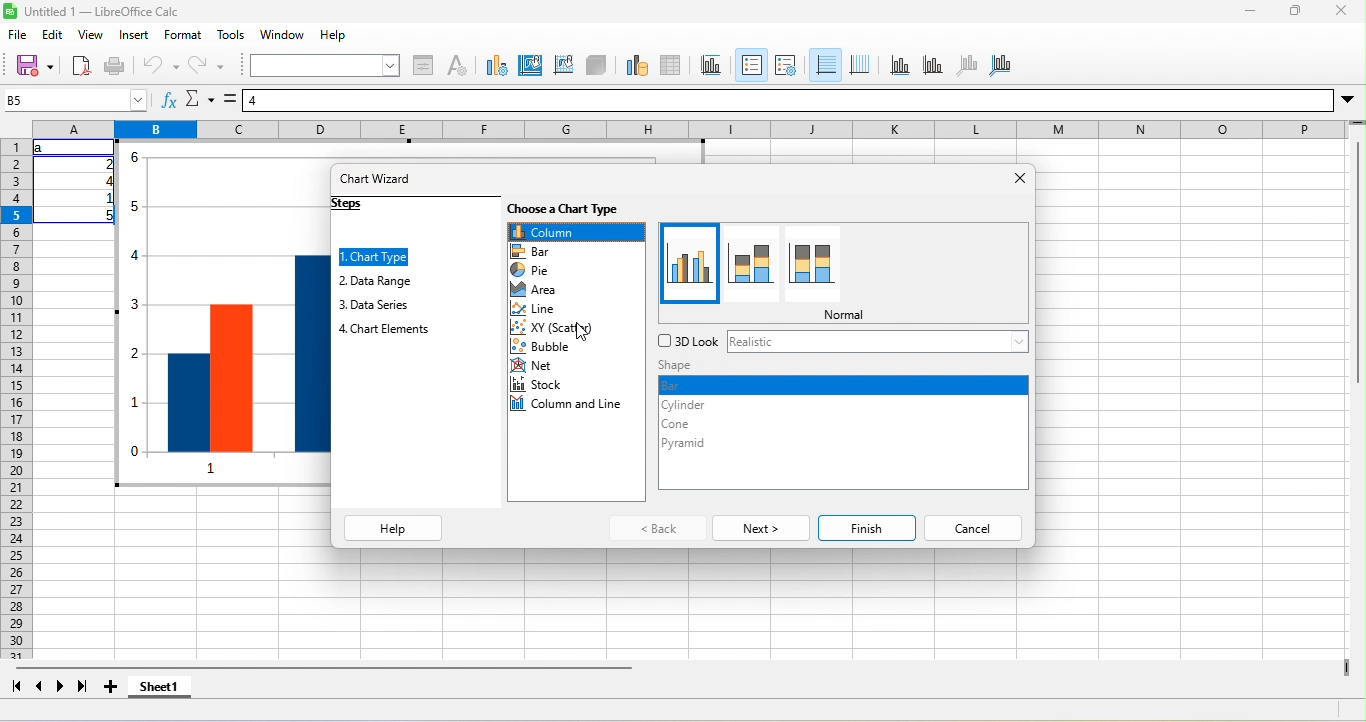 Image resolution: width=1366 pixels, height=722 pixels. What do you see at coordinates (200, 99) in the screenshot?
I see `select function` at bounding box center [200, 99].